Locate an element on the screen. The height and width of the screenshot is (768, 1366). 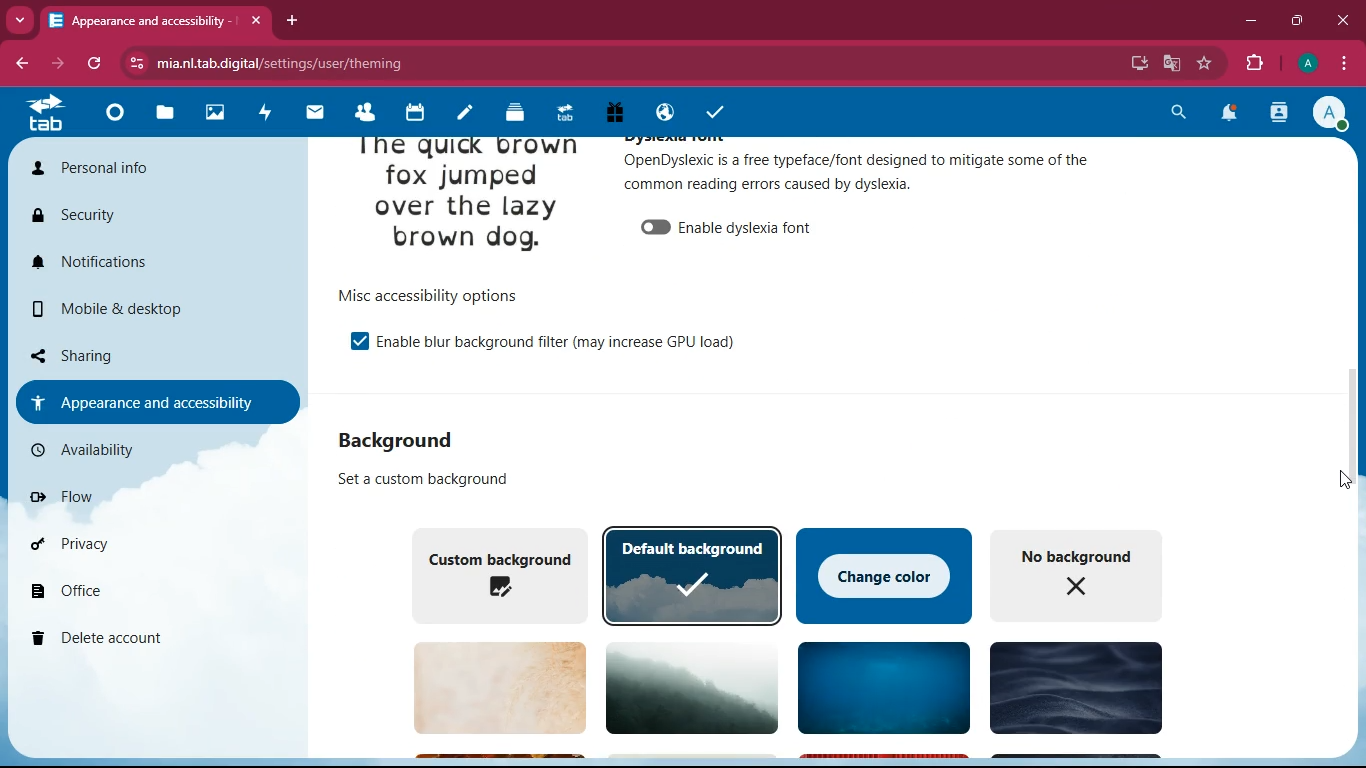
minimize is located at coordinates (1251, 21).